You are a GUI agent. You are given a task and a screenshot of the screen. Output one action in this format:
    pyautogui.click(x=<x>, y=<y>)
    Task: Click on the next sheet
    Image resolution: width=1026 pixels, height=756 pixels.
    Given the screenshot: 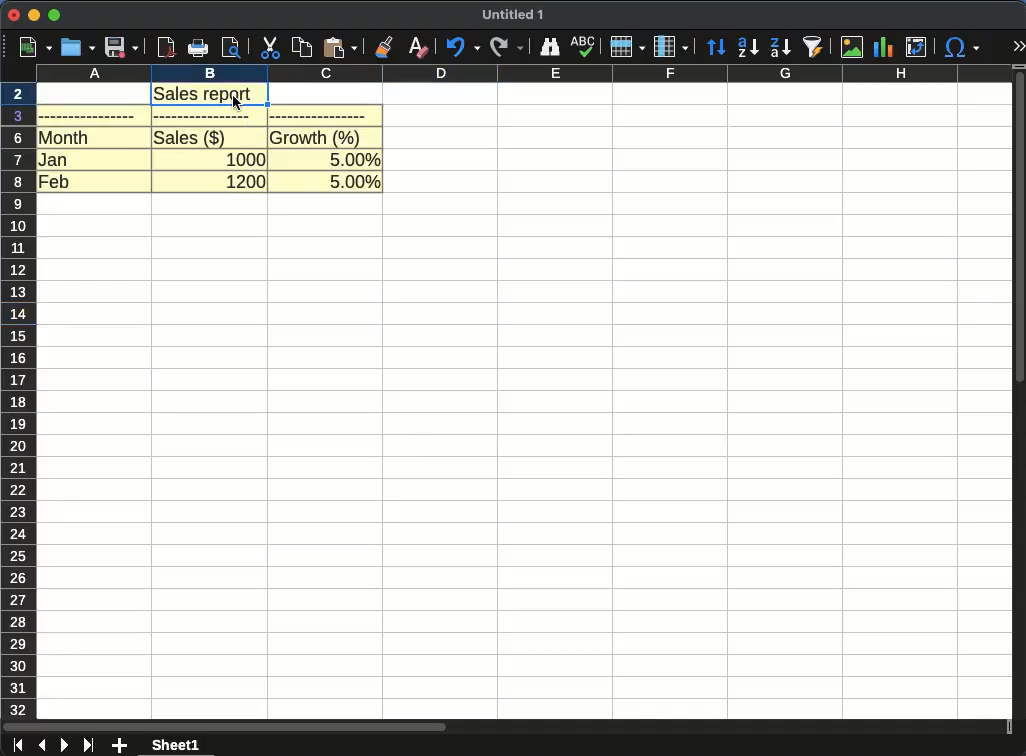 What is the action you would take?
    pyautogui.click(x=63, y=745)
    